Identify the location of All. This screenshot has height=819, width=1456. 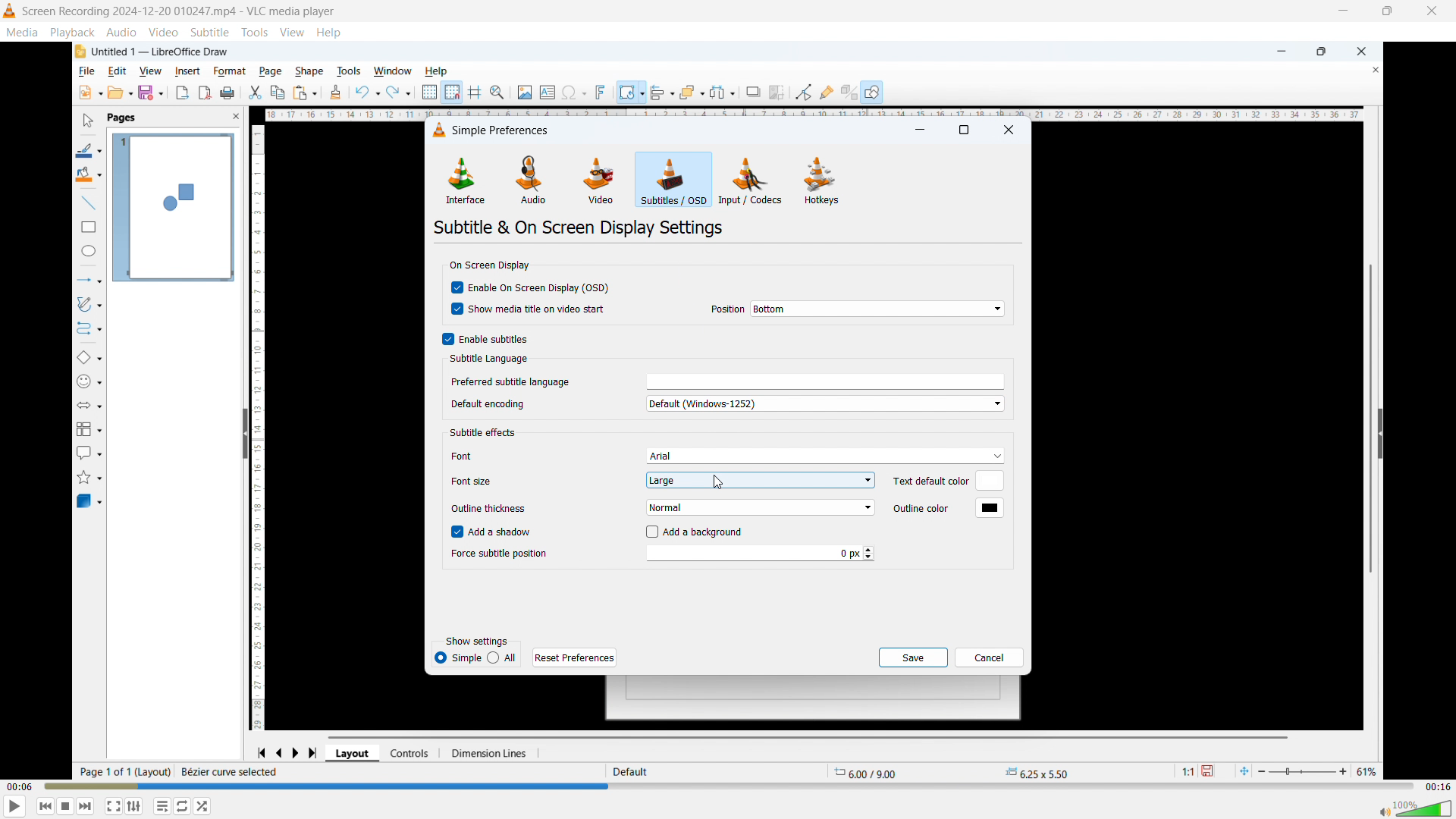
(504, 658).